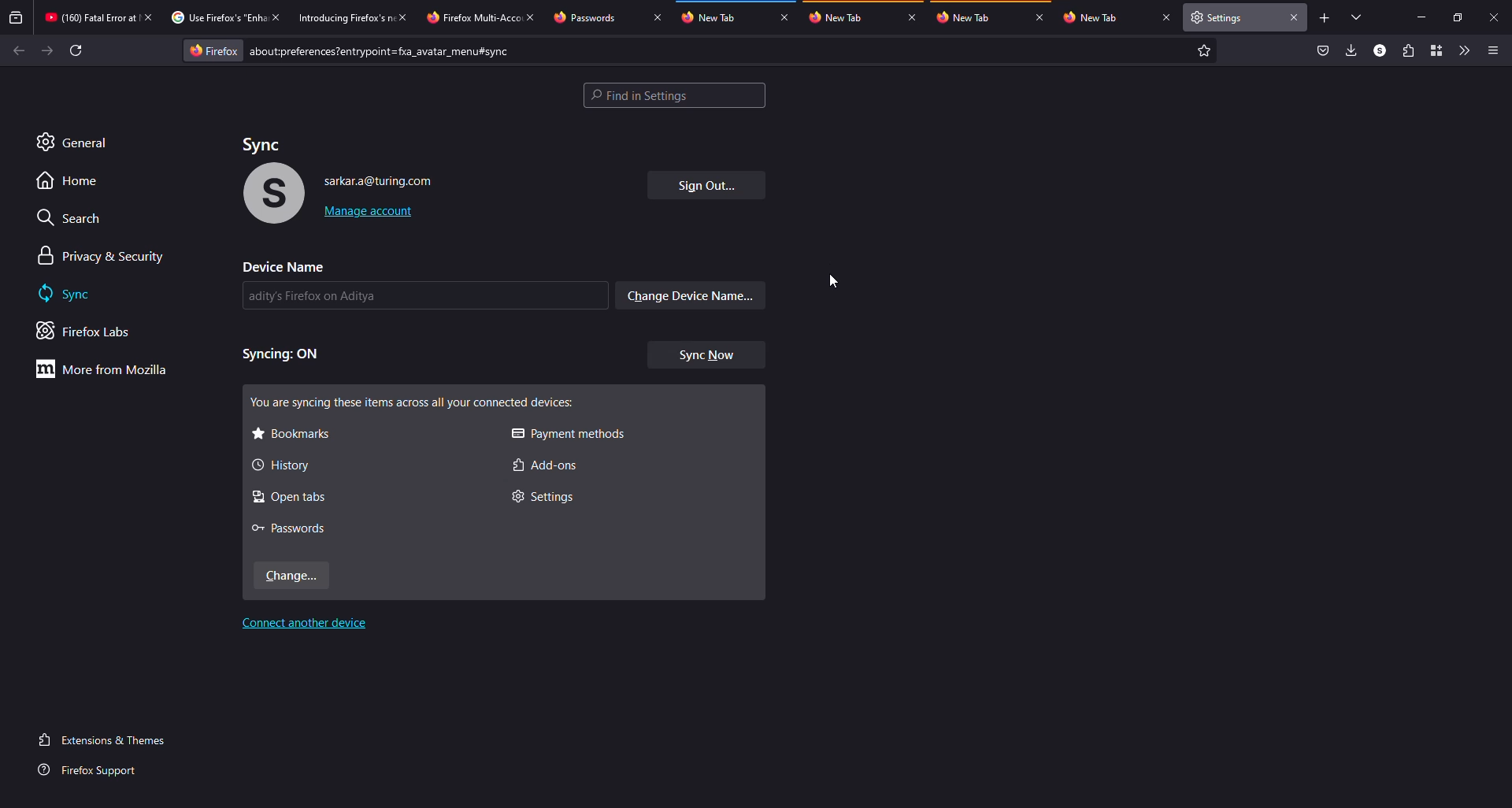 This screenshot has height=808, width=1512. What do you see at coordinates (85, 17) in the screenshot?
I see `tab` at bounding box center [85, 17].